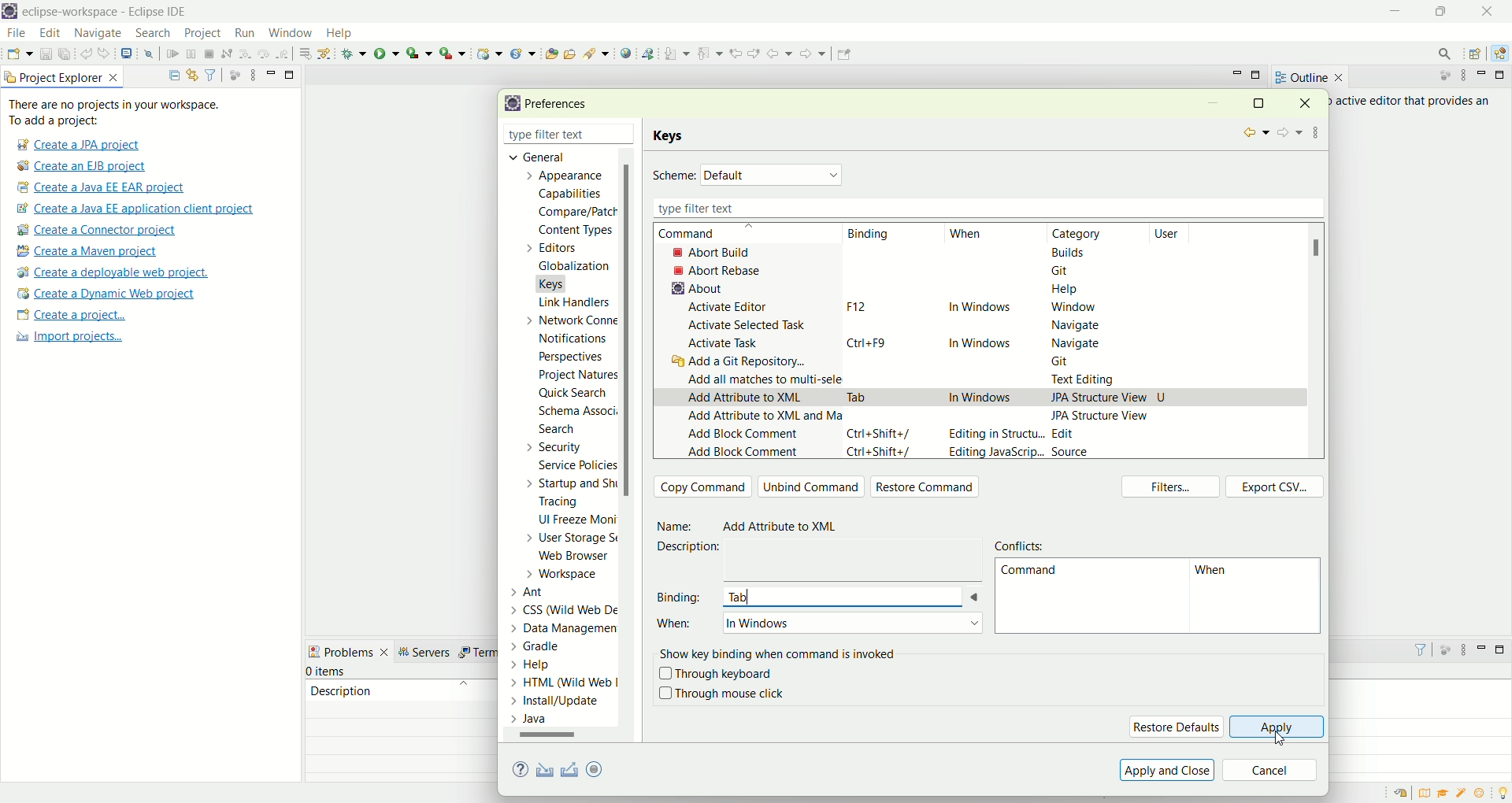 This screenshot has height=803, width=1512. Describe the element at coordinates (1102, 415) in the screenshot. I see `JPA structure view` at that location.